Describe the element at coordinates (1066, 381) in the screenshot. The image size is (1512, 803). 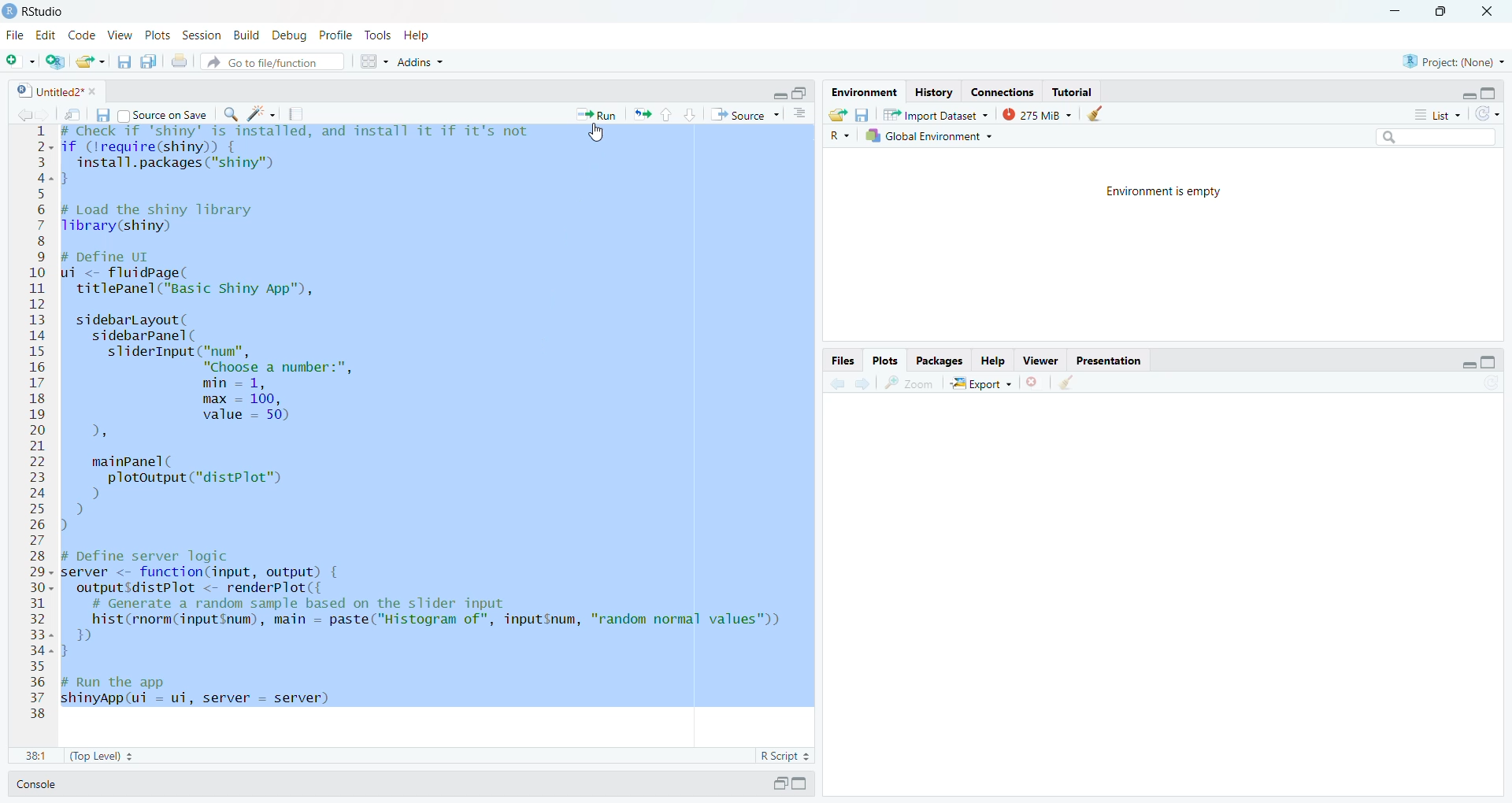
I see `clear` at that location.